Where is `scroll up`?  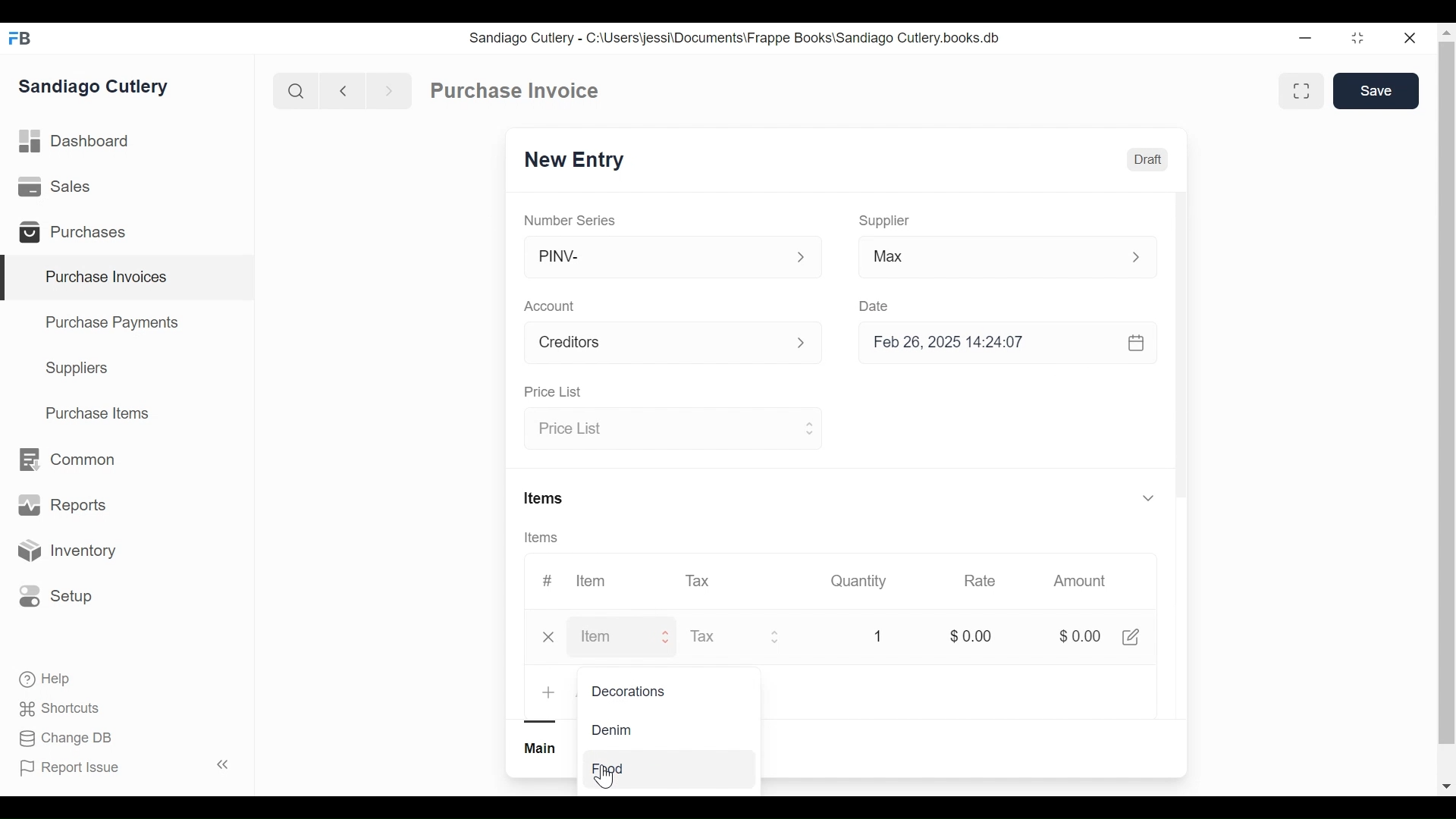
scroll up is located at coordinates (1445, 34).